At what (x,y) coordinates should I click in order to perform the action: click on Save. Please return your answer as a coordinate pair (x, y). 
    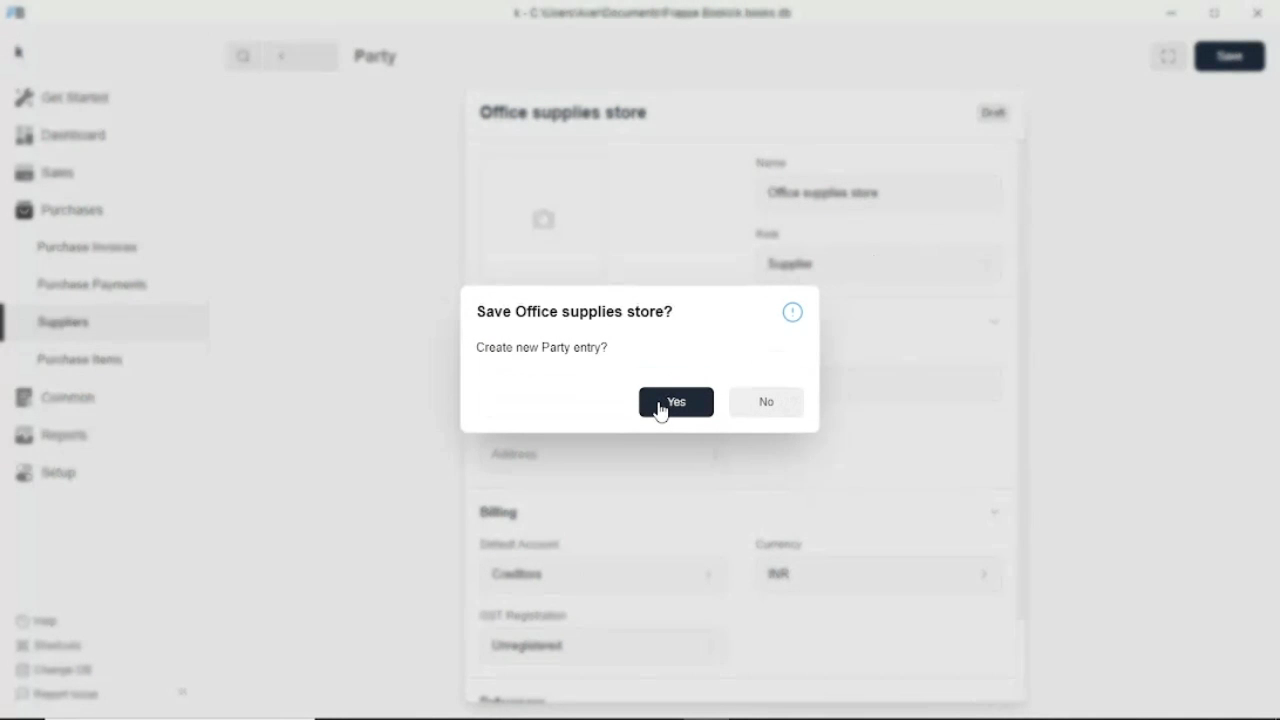
    Looking at the image, I should click on (1230, 56).